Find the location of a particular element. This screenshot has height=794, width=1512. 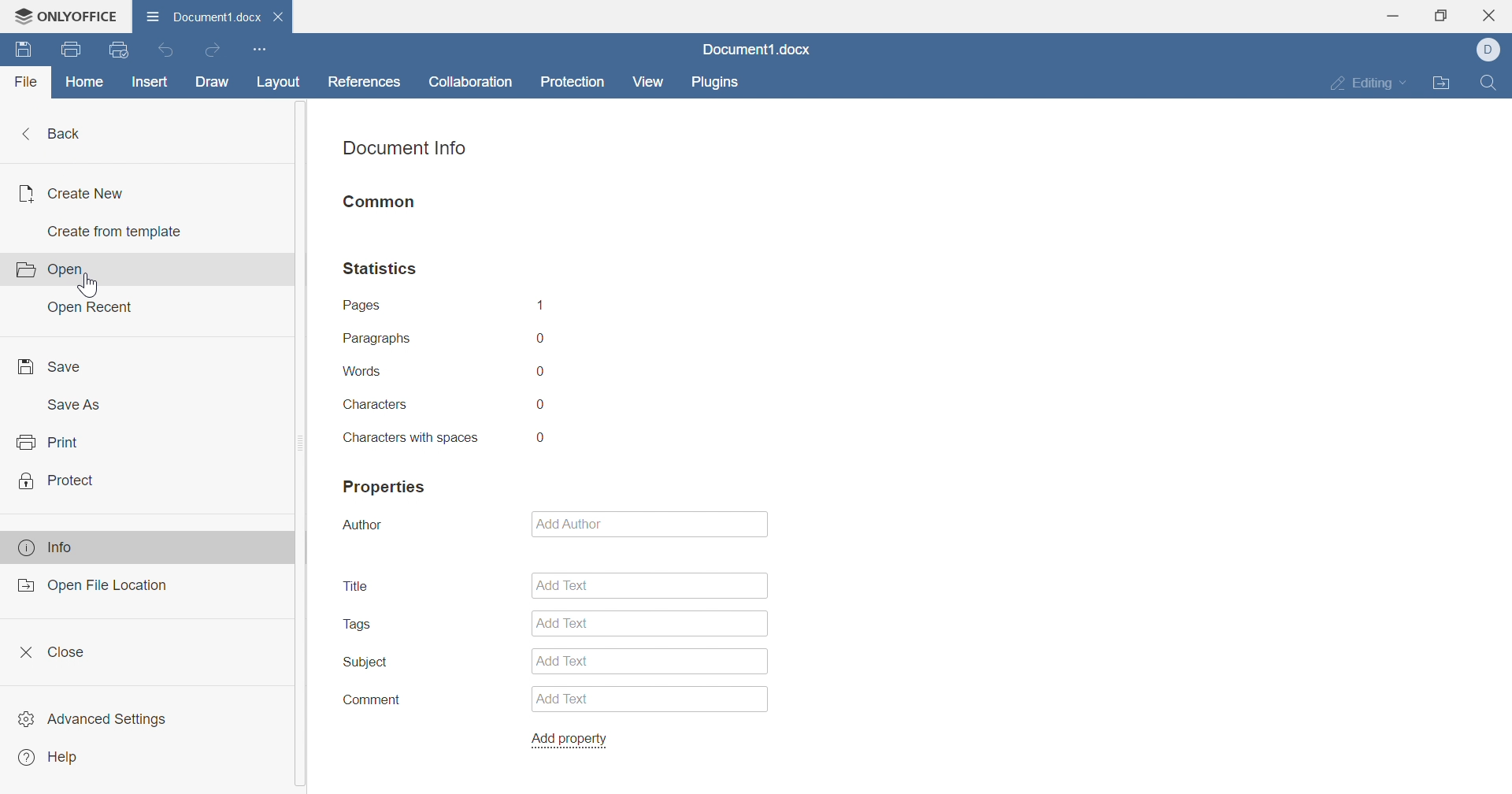

customize quick access settings is located at coordinates (262, 49).